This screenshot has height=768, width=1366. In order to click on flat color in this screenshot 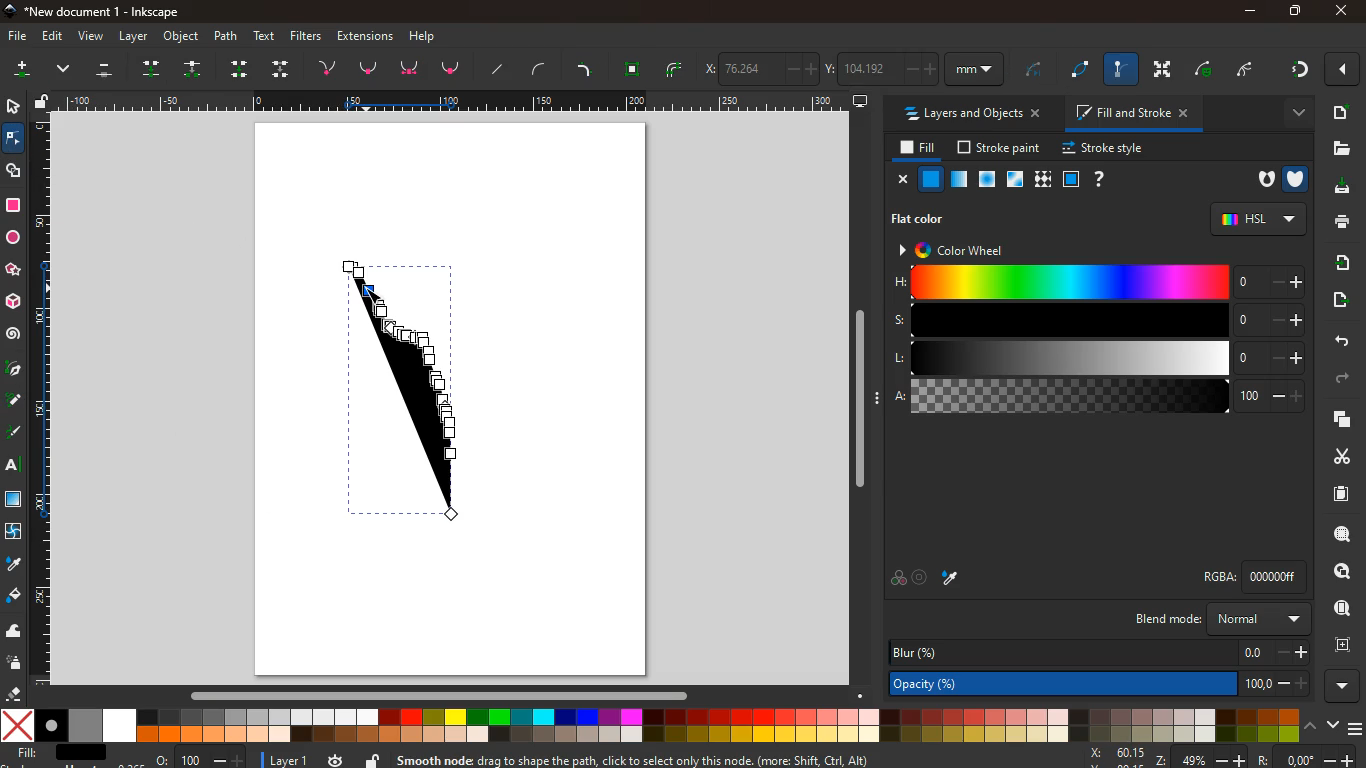, I will do `click(925, 218)`.